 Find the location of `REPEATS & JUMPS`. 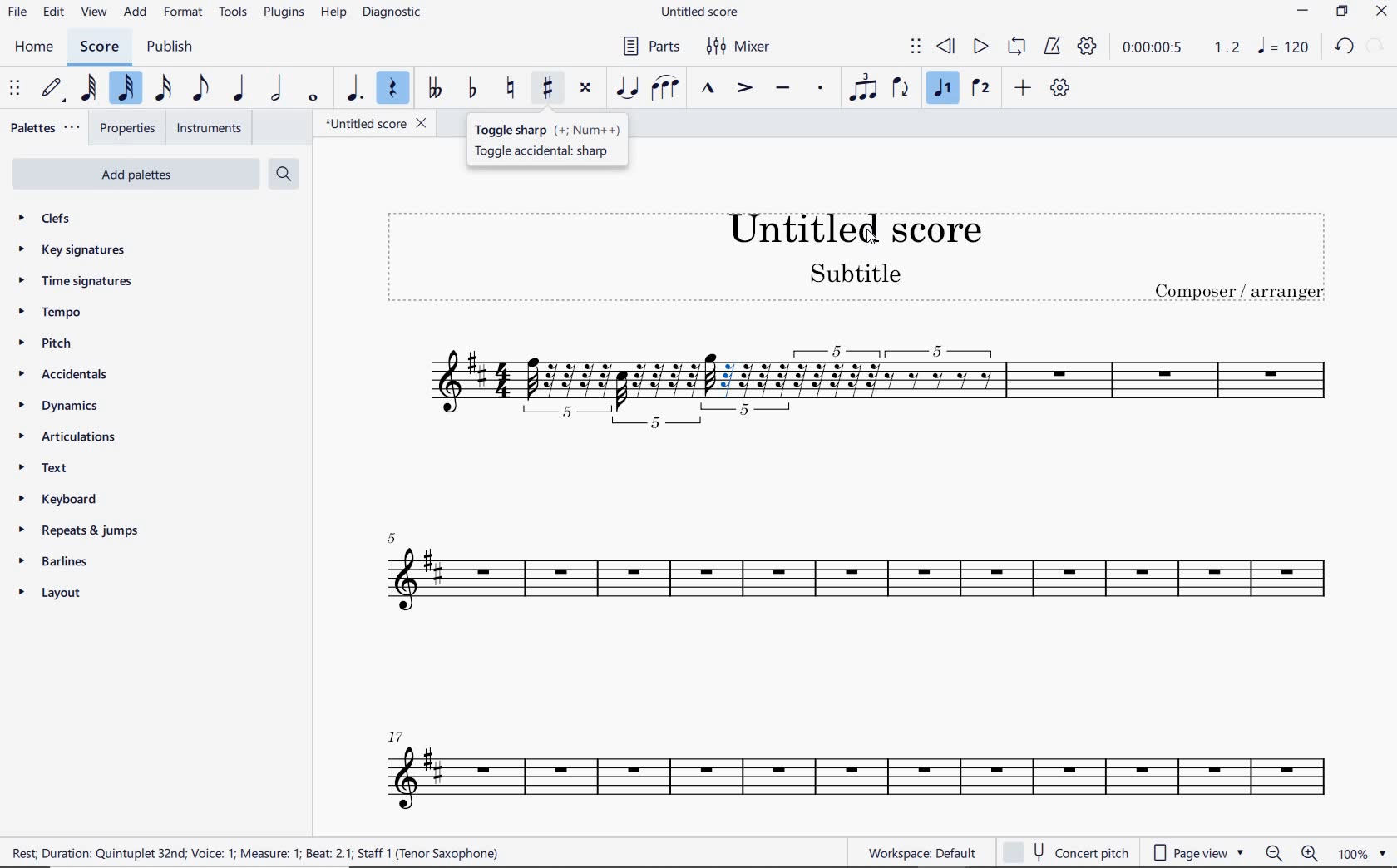

REPEATS & JUMPS is located at coordinates (81, 530).